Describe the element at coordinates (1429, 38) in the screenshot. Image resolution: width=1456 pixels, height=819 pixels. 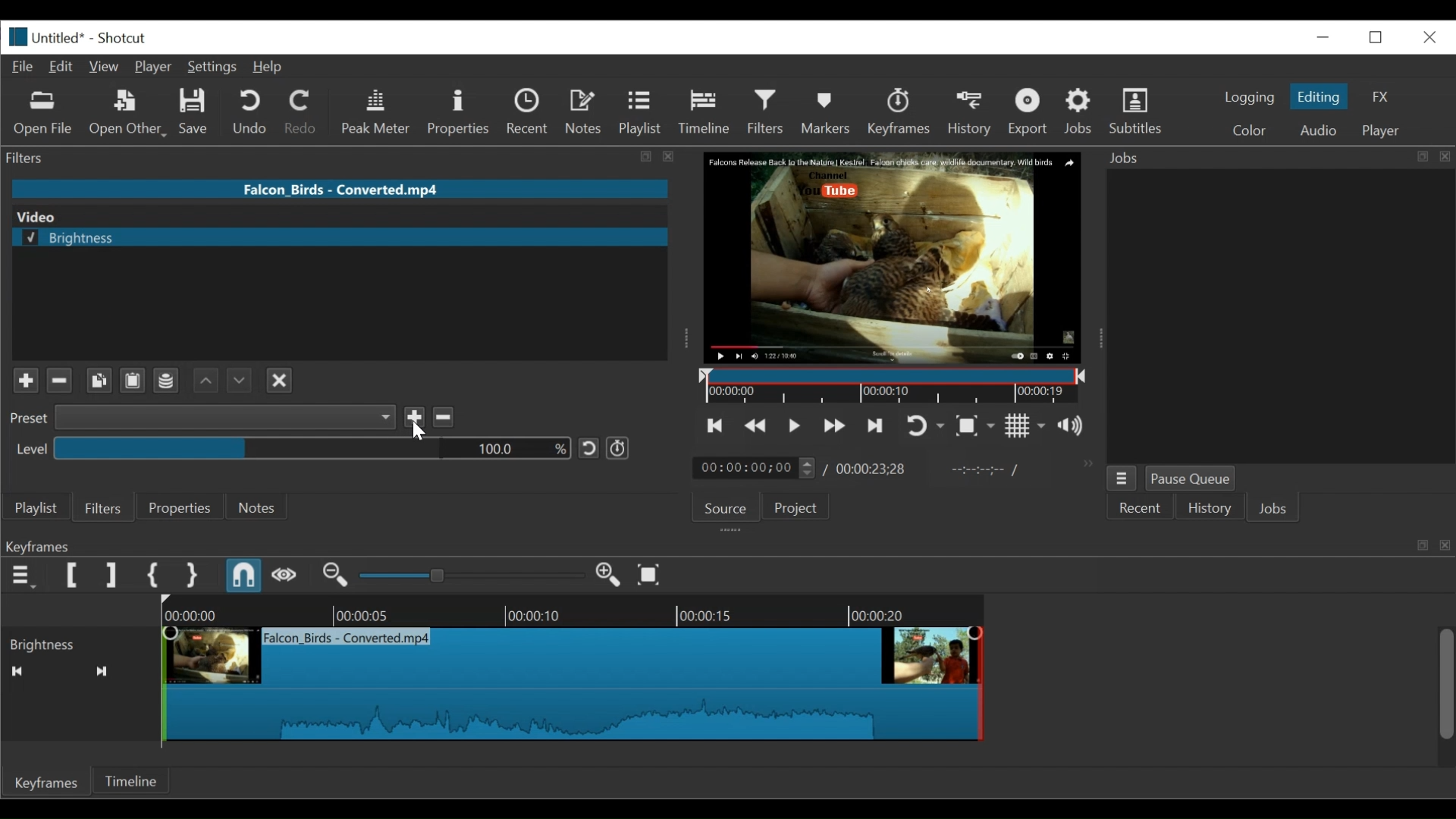
I see `Close` at that location.